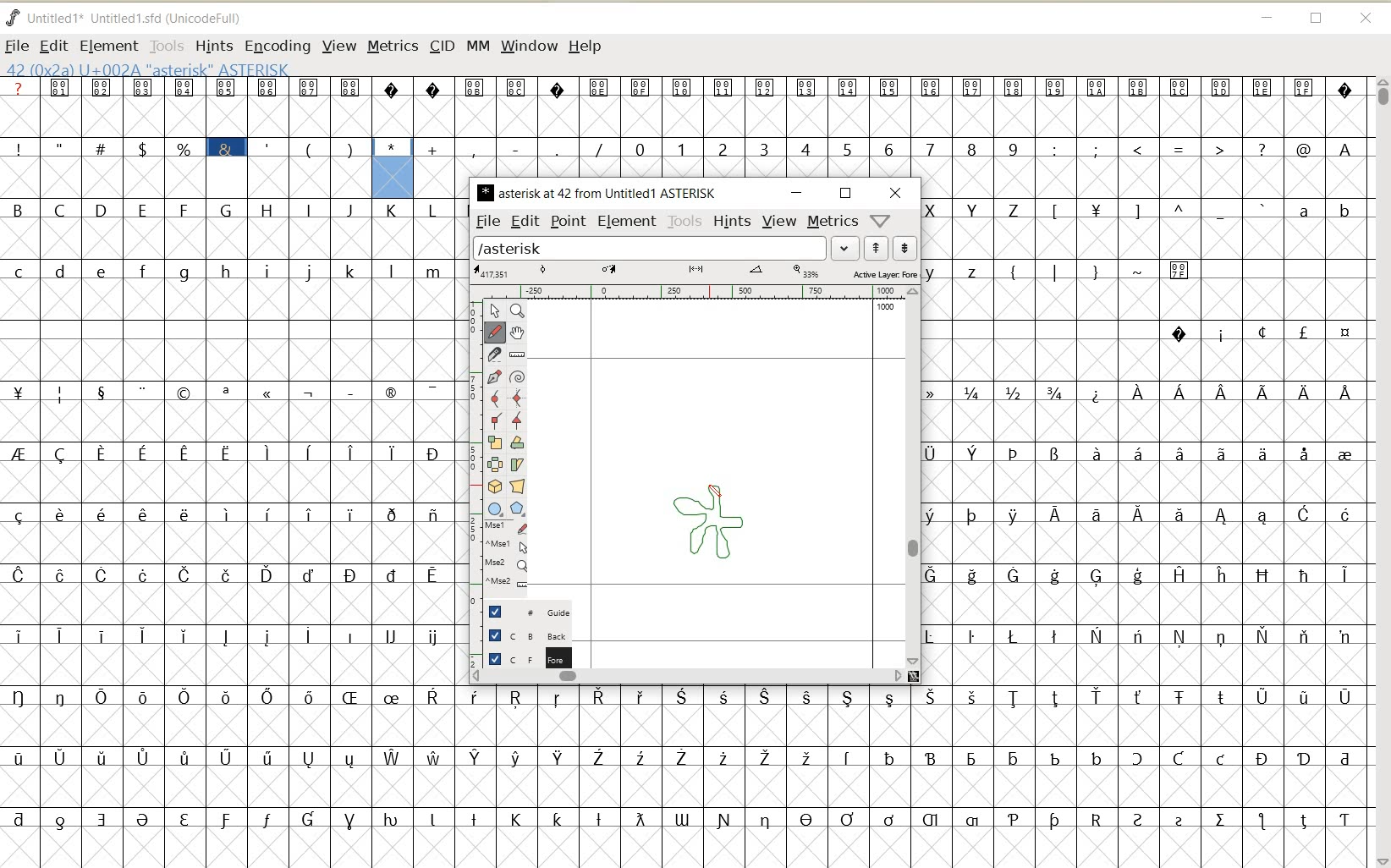 The width and height of the screenshot is (1391, 868). Describe the element at coordinates (17, 45) in the screenshot. I see `FILE` at that location.